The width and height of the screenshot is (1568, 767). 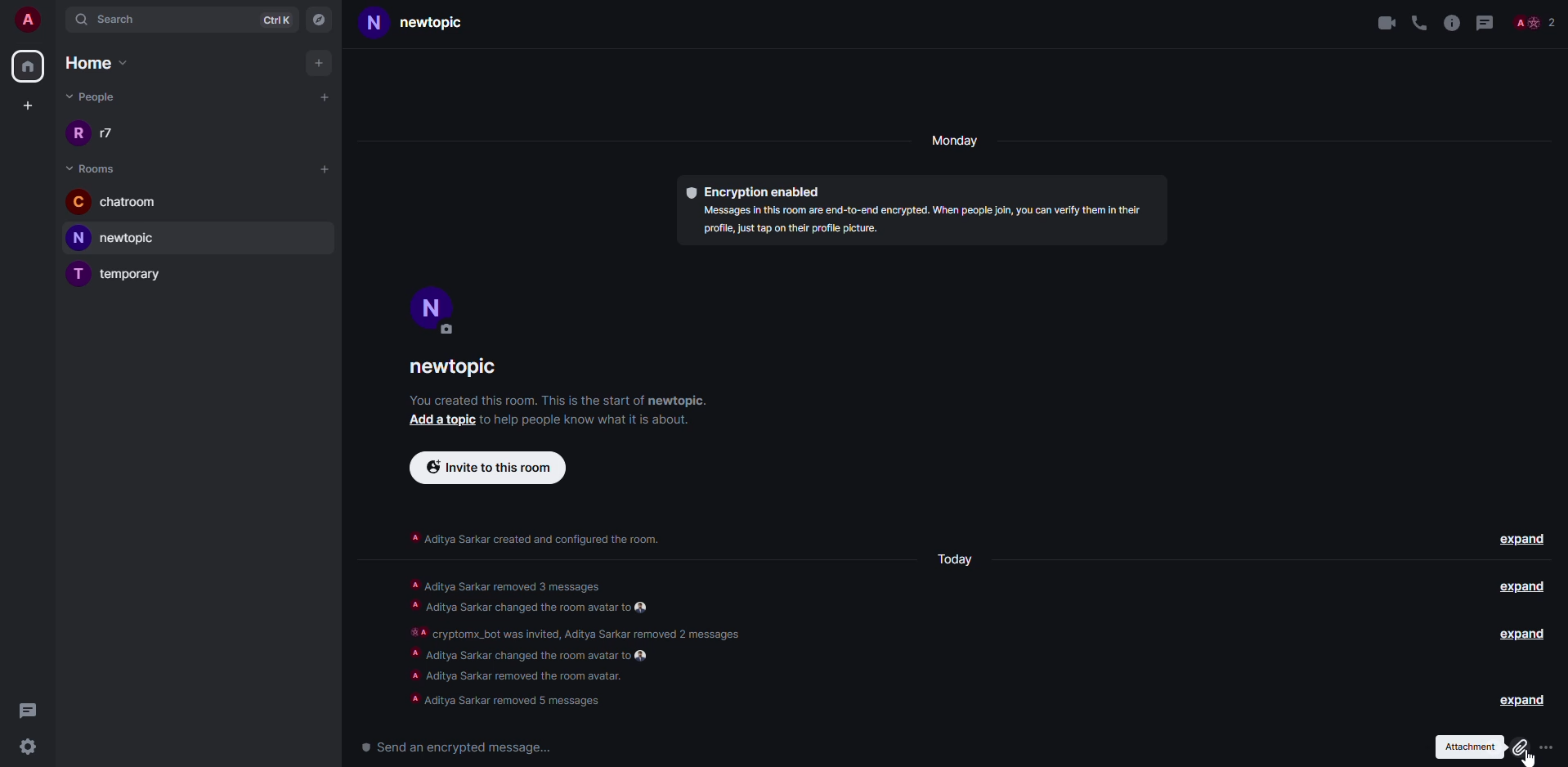 I want to click on cursor, so click(x=1529, y=759).